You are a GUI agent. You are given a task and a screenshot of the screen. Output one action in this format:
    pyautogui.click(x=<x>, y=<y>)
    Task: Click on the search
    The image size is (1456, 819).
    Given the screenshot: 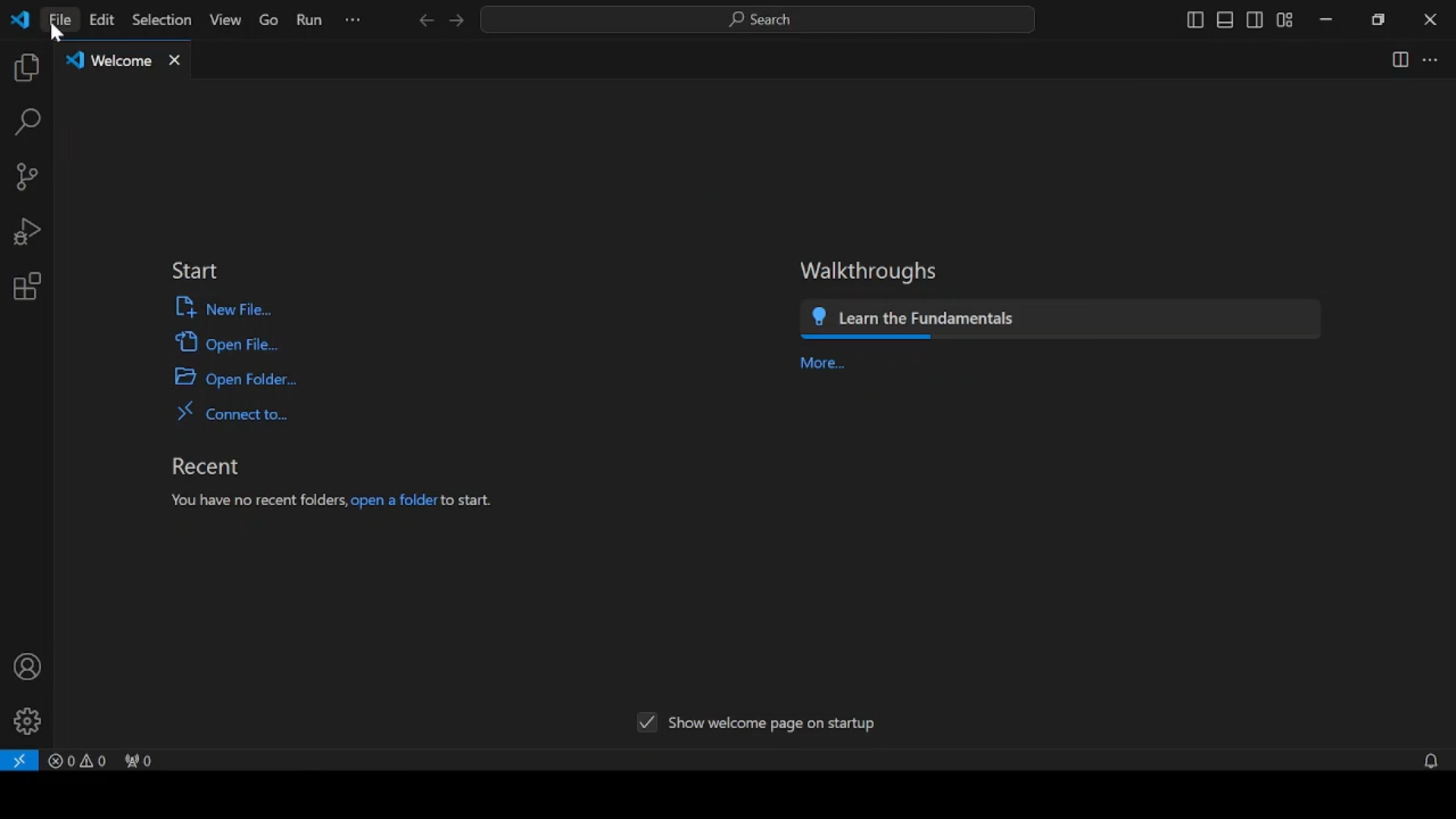 What is the action you would take?
    pyautogui.click(x=28, y=121)
    